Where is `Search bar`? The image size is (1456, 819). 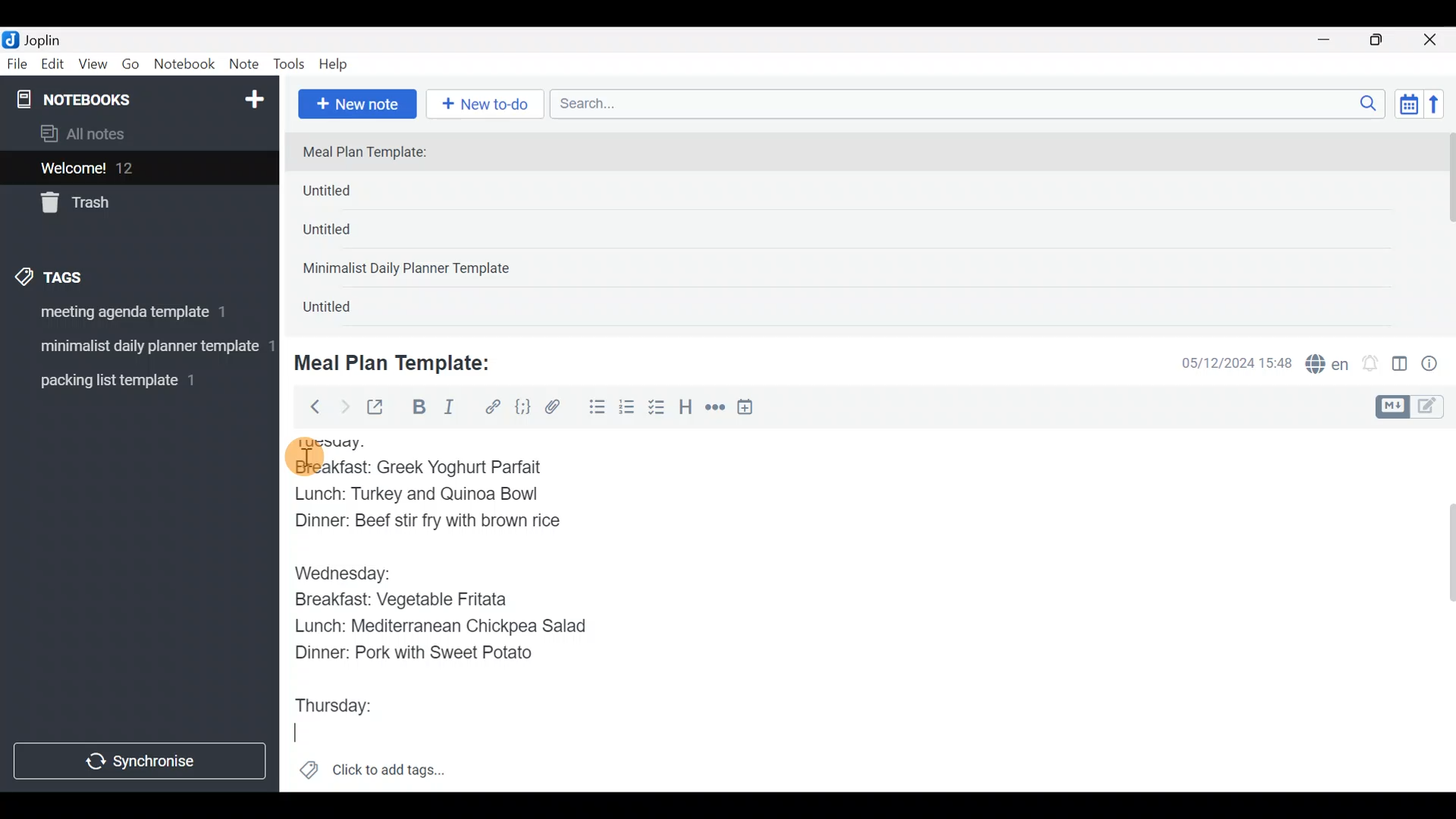 Search bar is located at coordinates (971, 102).